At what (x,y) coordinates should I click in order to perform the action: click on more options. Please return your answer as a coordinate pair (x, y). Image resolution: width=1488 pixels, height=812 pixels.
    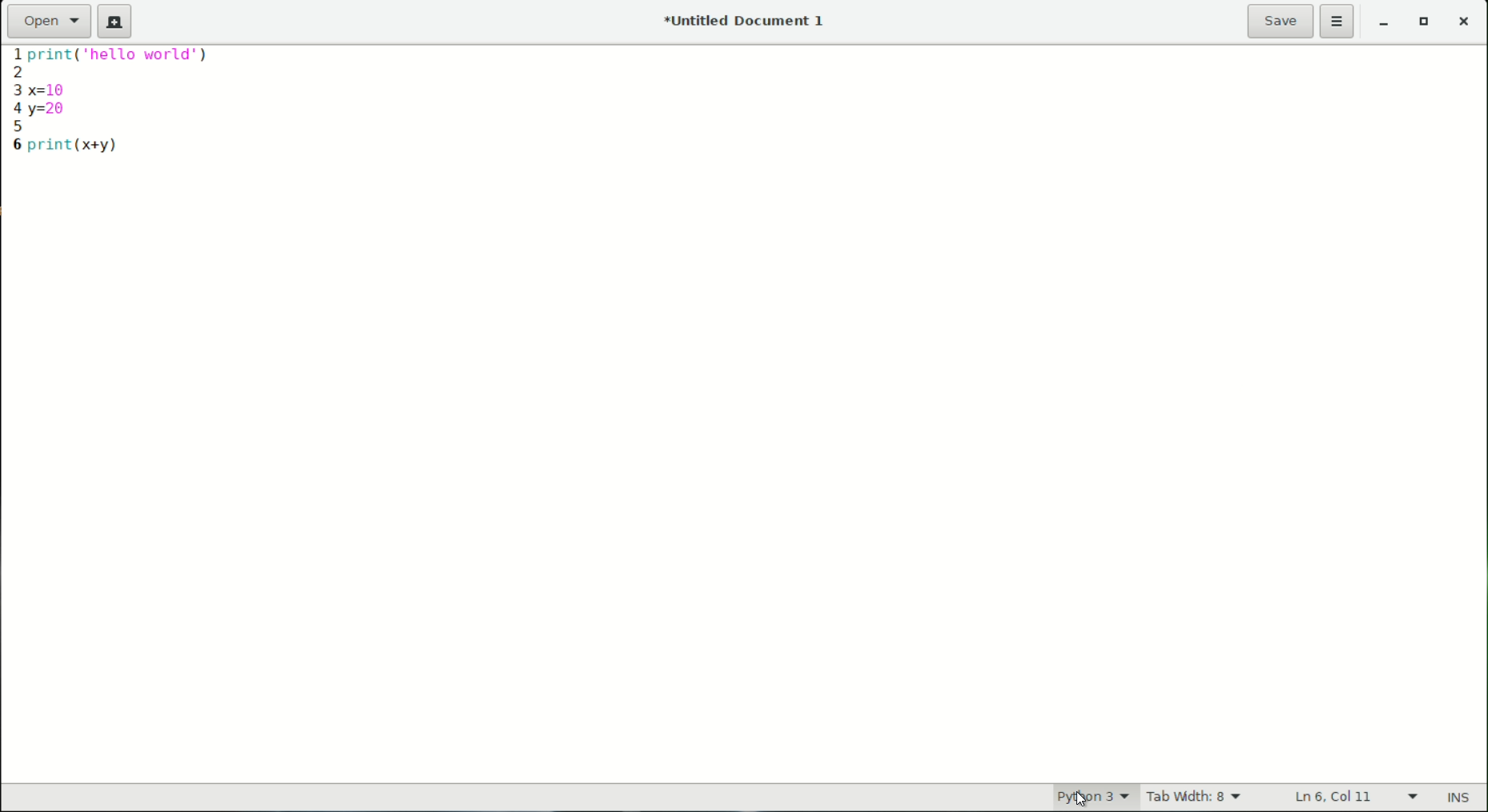
    Looking at the image, I should click on (1339, 22).